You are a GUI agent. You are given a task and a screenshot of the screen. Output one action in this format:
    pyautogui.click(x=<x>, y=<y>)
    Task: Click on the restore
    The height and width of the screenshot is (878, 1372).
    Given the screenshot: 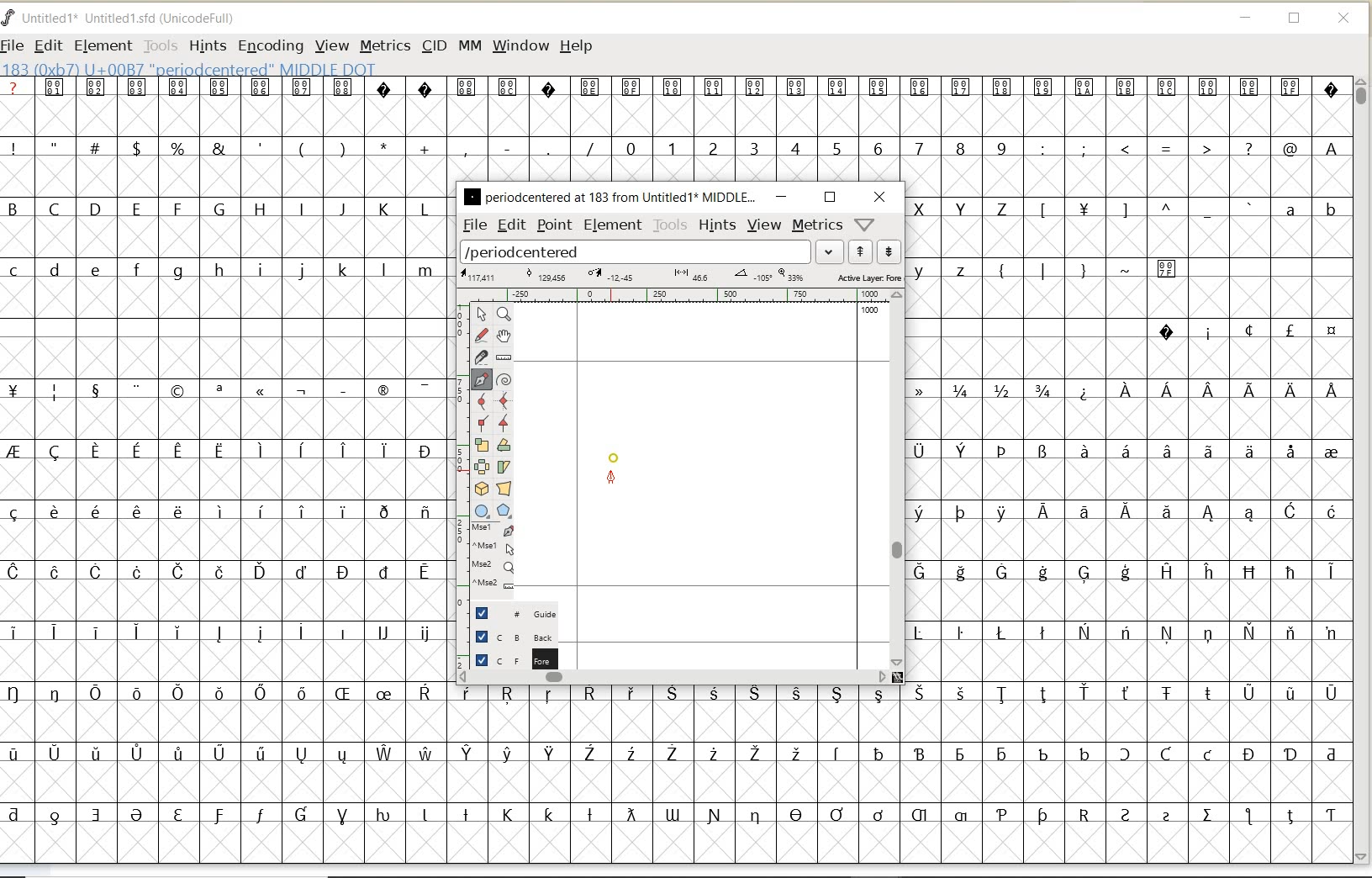 What is the action you would take?
    pyautogui.click(x=830, y=196)
    